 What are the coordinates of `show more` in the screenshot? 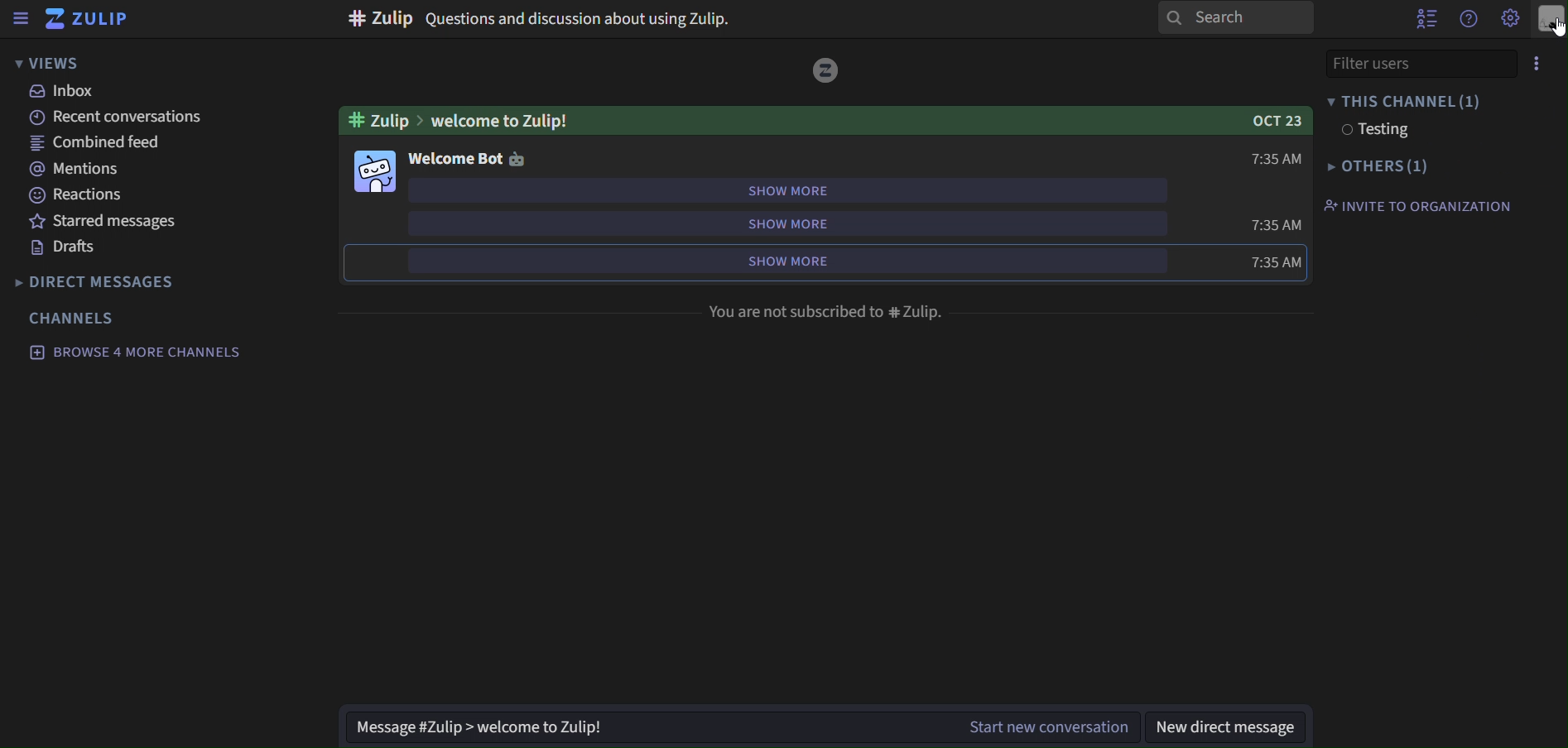 It's located at (787, 260).